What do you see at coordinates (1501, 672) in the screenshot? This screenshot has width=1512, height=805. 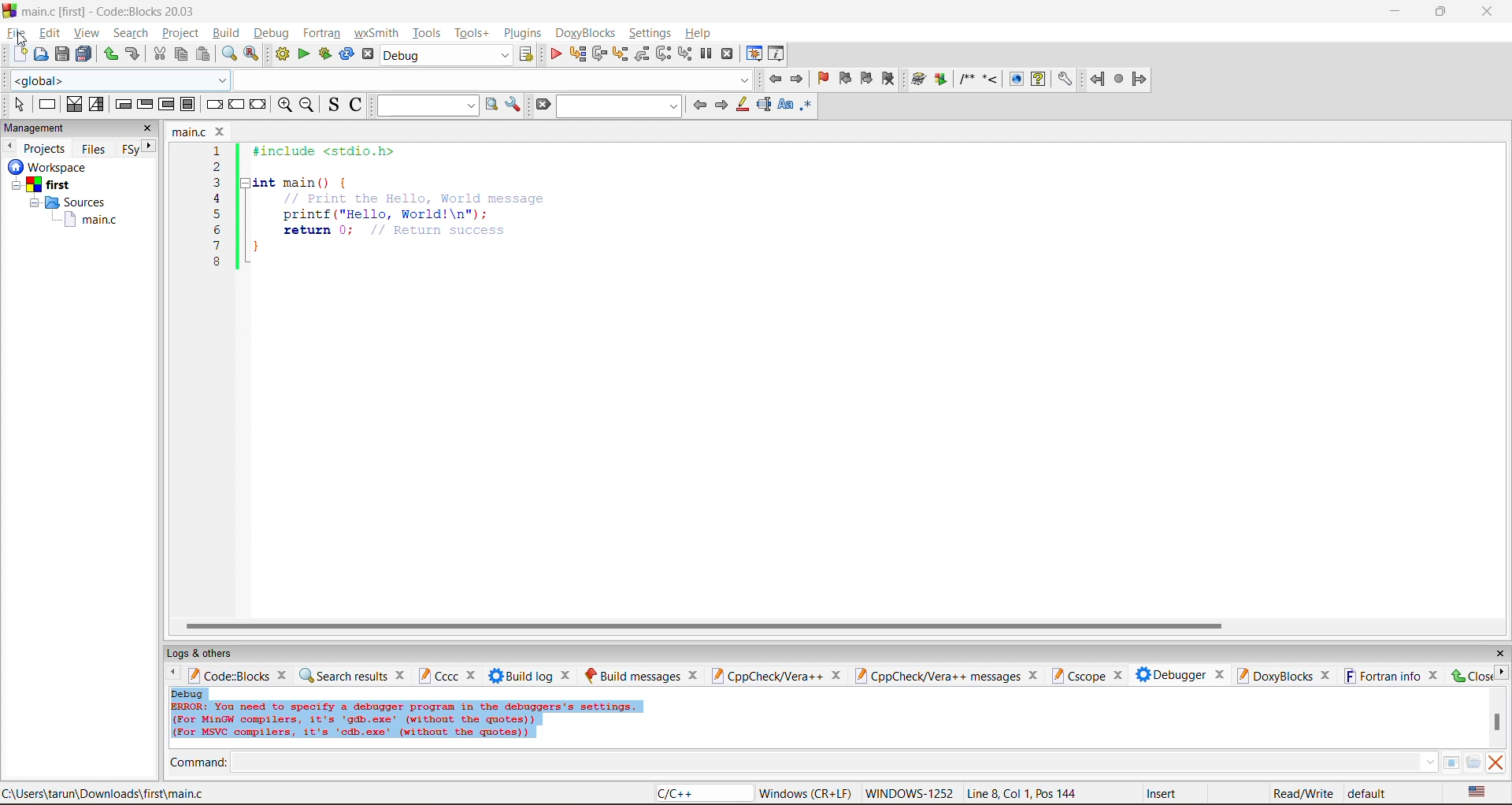 I see `next` at bounding box center [1501, 672].